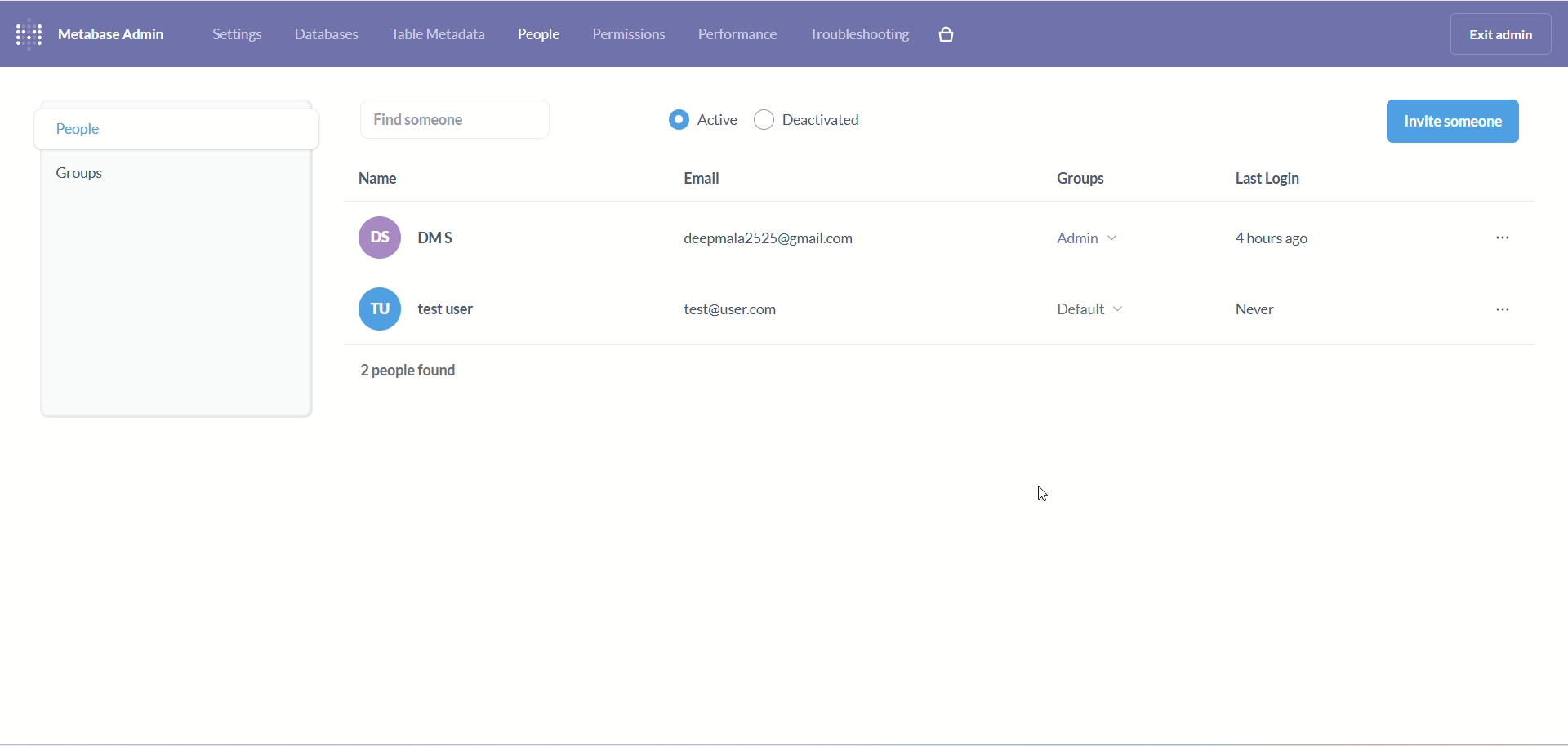 Image resolution: width=1568 pixels, height=746 pixels. What do you see at coordinates (835, 313) in the screenshot?
I see `(ru) test user test@user.com Default ~ Never` at bounding box center [835, 313].